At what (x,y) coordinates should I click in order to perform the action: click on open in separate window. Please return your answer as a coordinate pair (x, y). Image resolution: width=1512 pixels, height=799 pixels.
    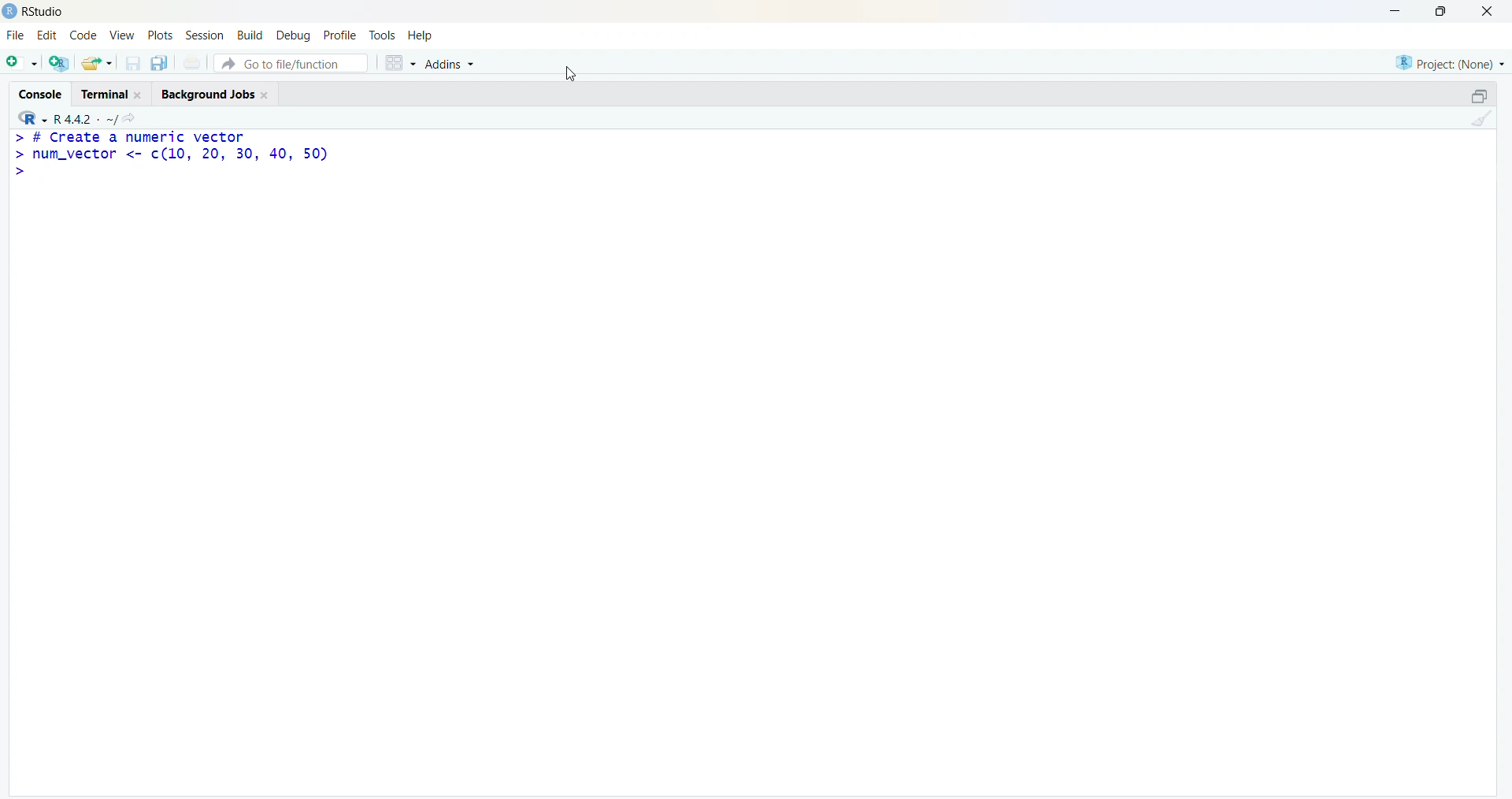
    Looking at the image, I should click on (1481, 95).